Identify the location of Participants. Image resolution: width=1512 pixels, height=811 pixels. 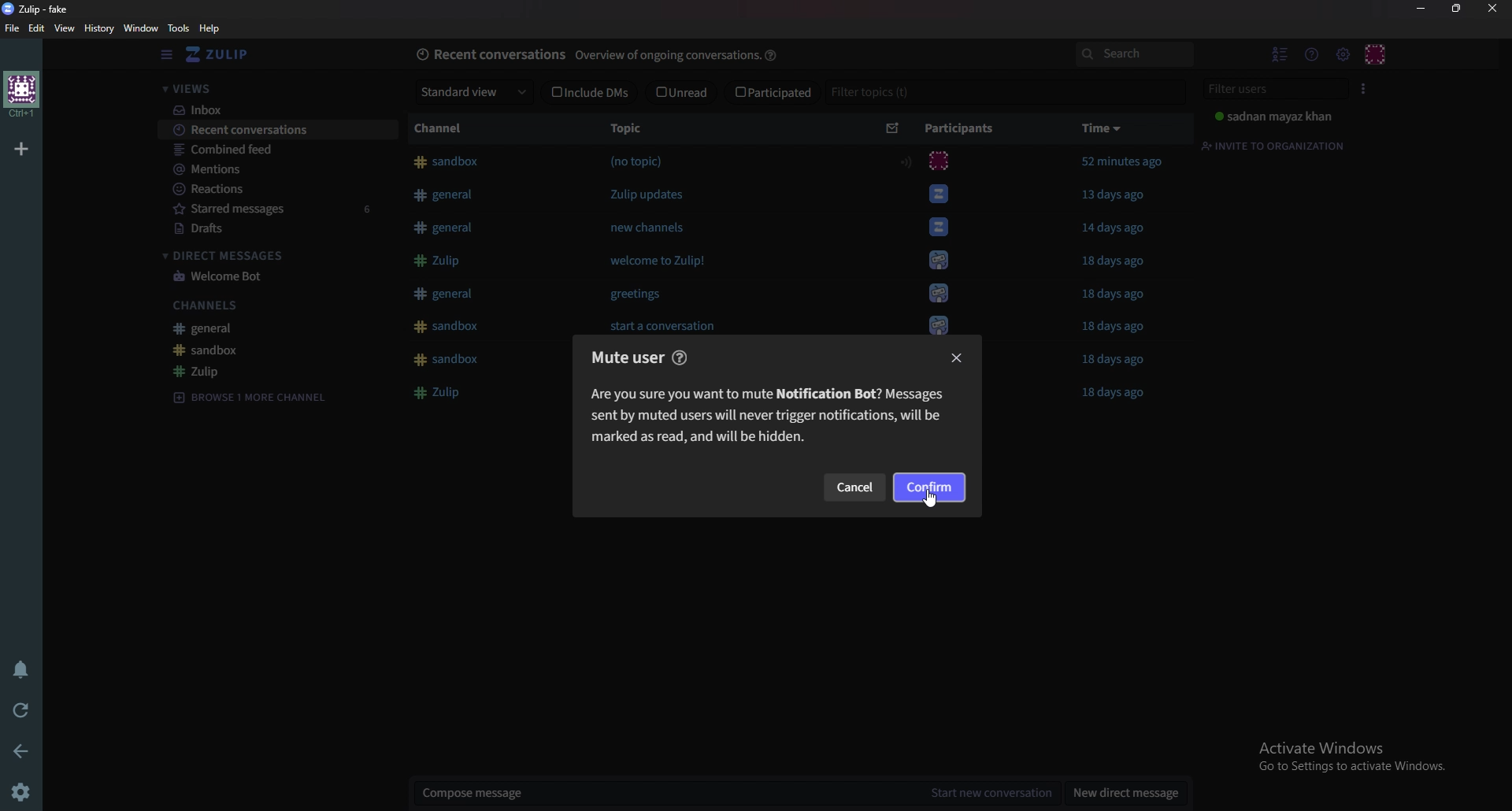
(957, 129).